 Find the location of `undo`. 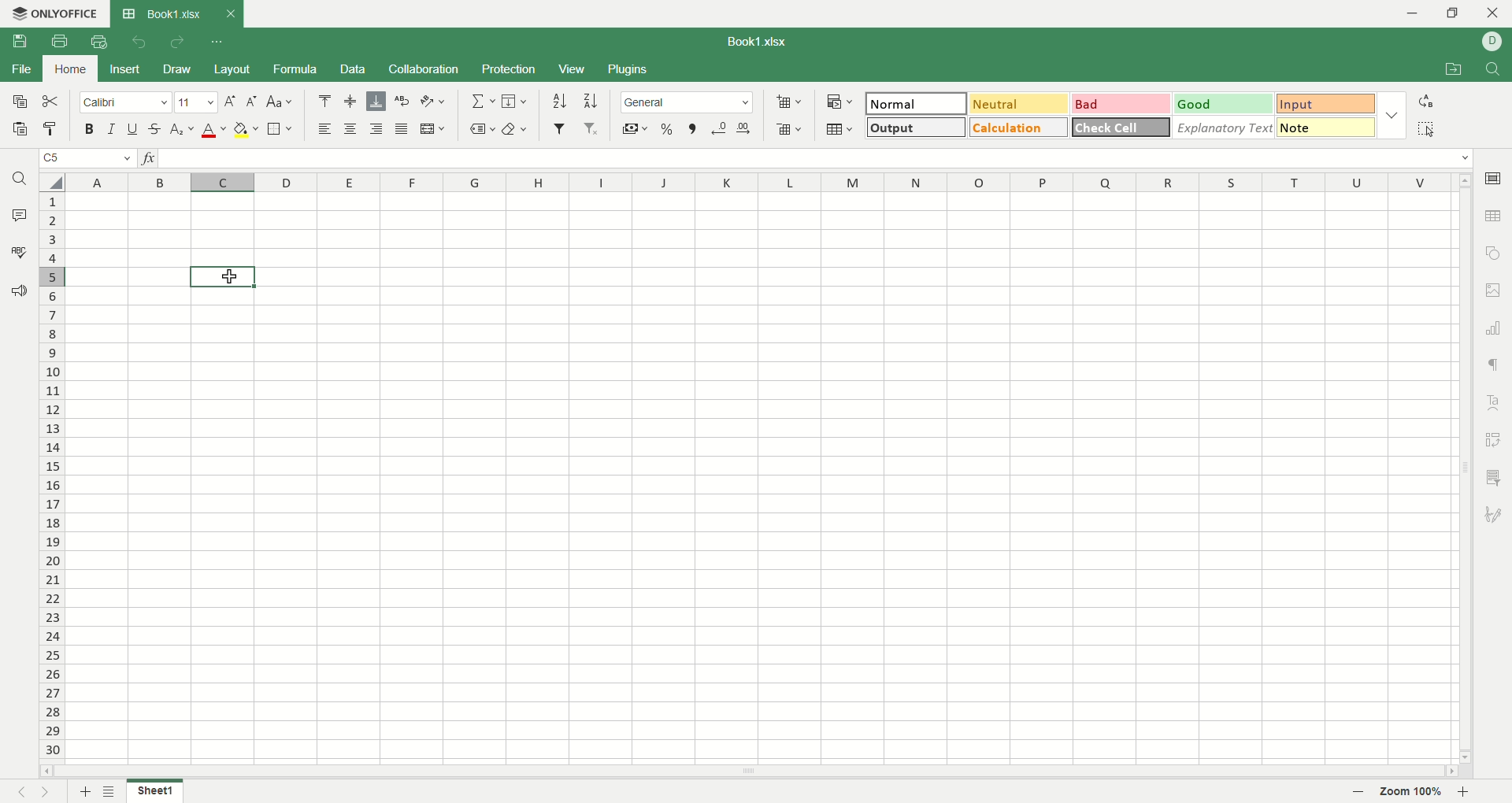

undo is located at coordinates (136, 41).